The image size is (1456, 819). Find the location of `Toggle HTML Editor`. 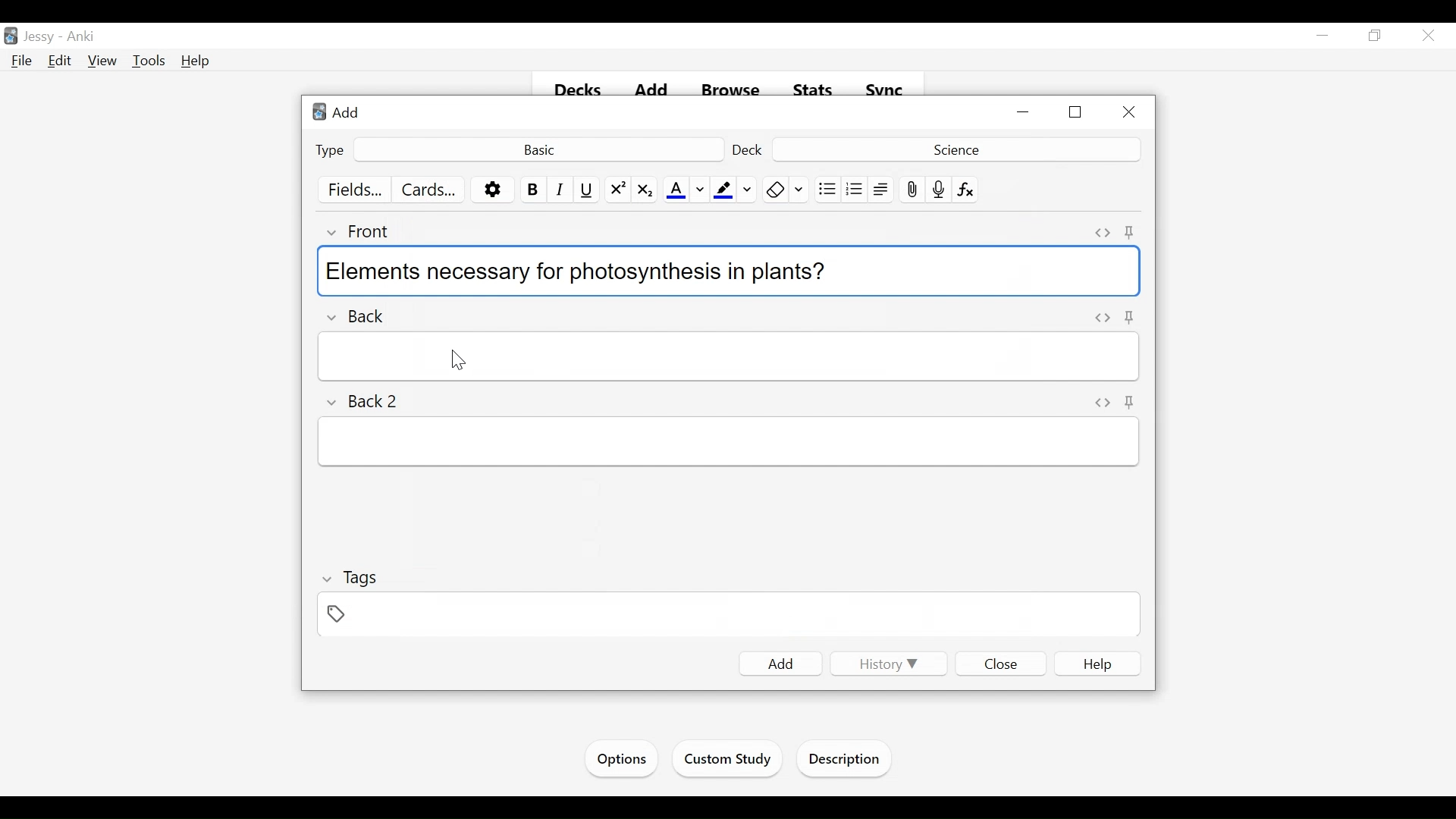

Toggle HTML Editor is located at coordinates (1103, 318).